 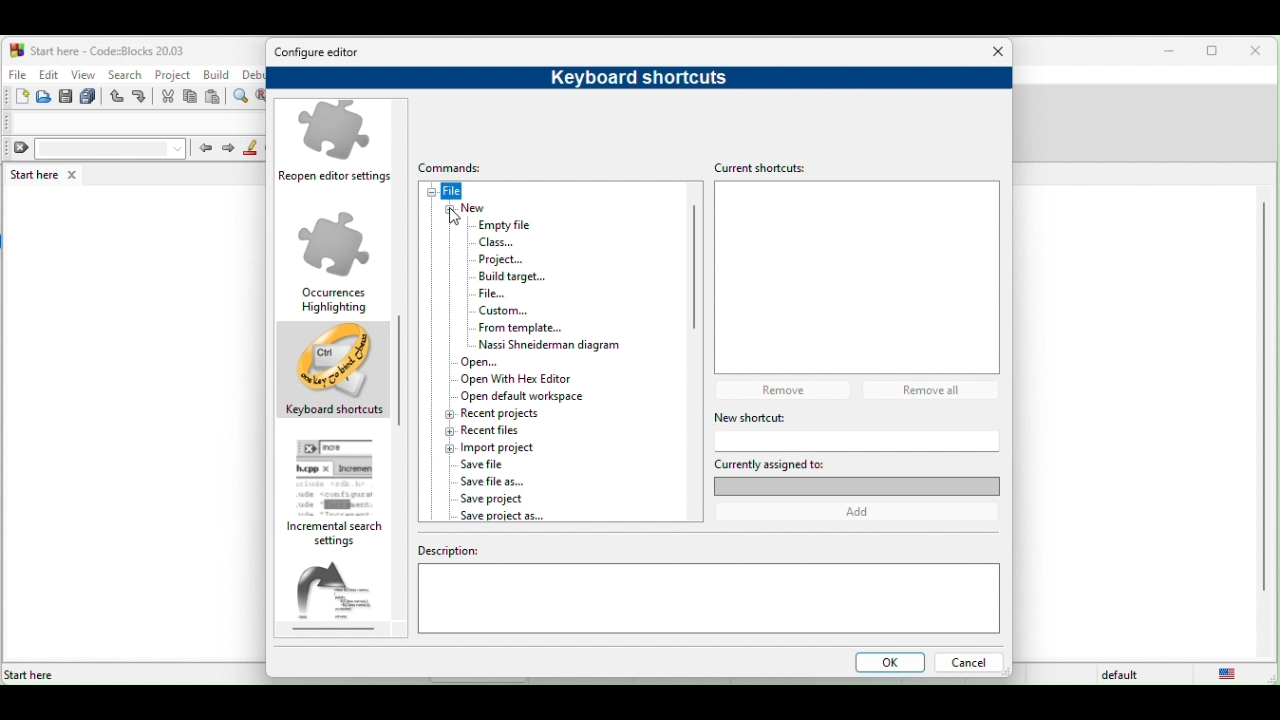 What do you see at coordinates (1123, 675) in the screenshot?
I see `default` at bounding box center [1123, 675].